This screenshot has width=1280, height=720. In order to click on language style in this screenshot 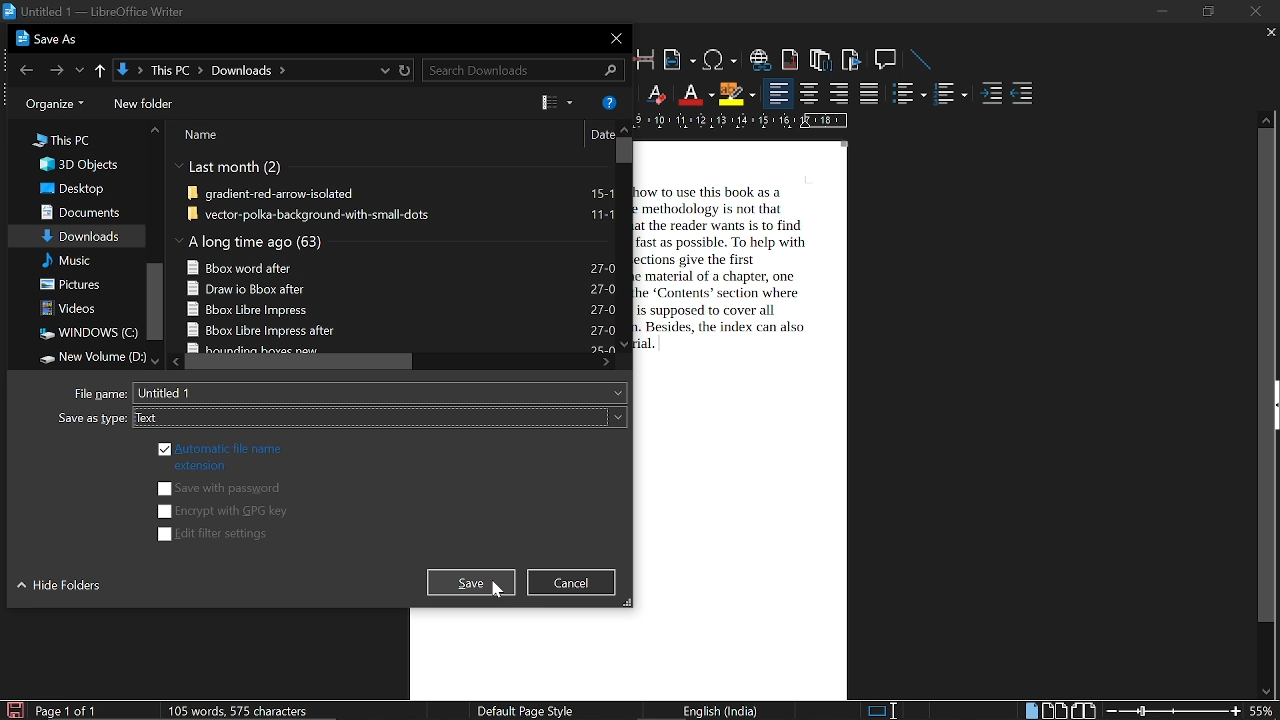, I will do `click(724, 711)`.